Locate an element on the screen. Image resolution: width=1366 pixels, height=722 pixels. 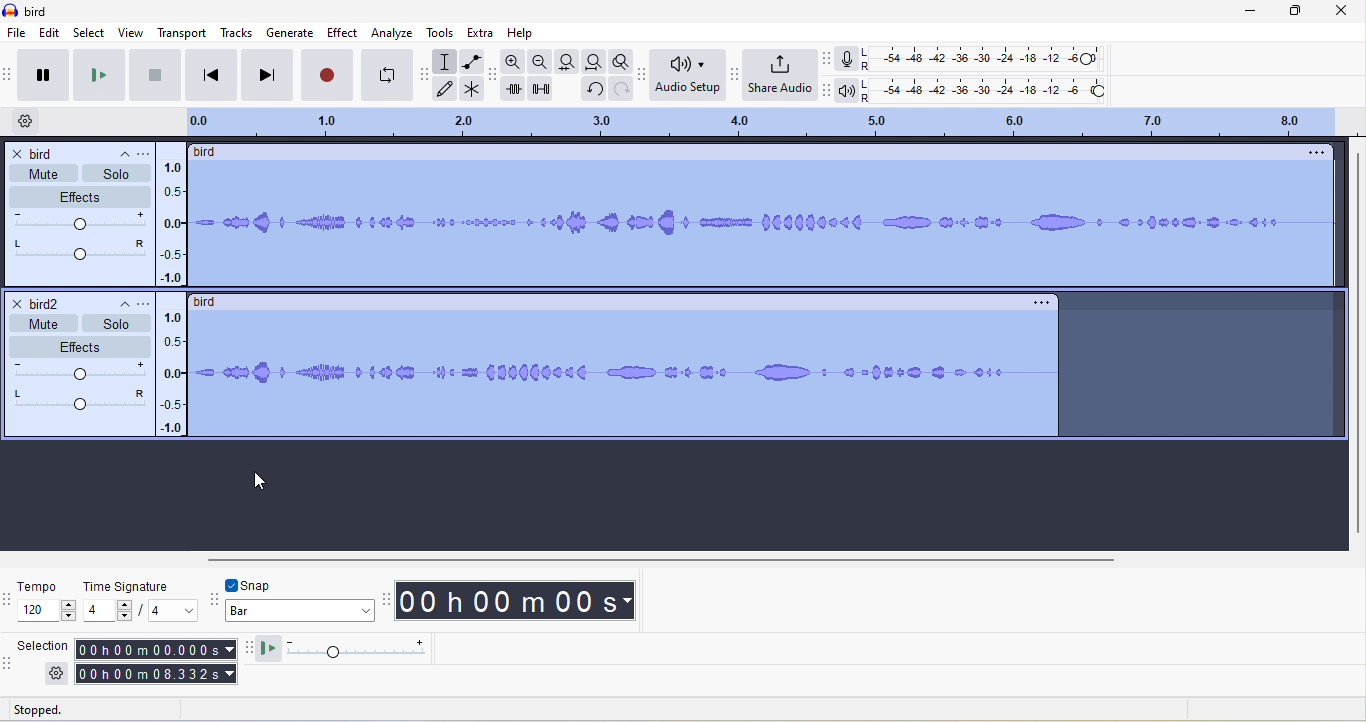
skip to start is located at coordinates (213, 74).